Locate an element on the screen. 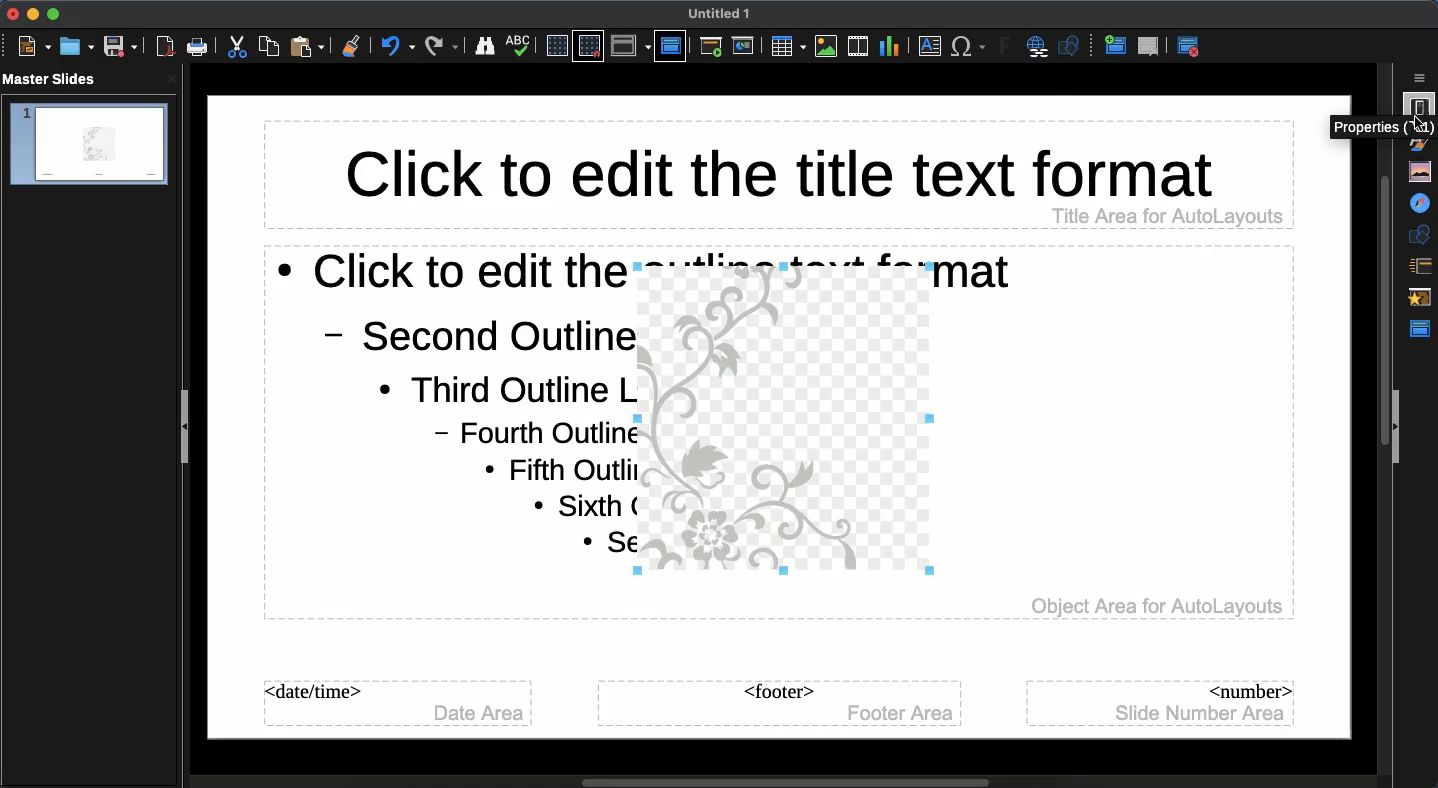 Image resolution: width=1438 pixels, height=788 pixels. Delete master is located at coordinates (1149, 46).